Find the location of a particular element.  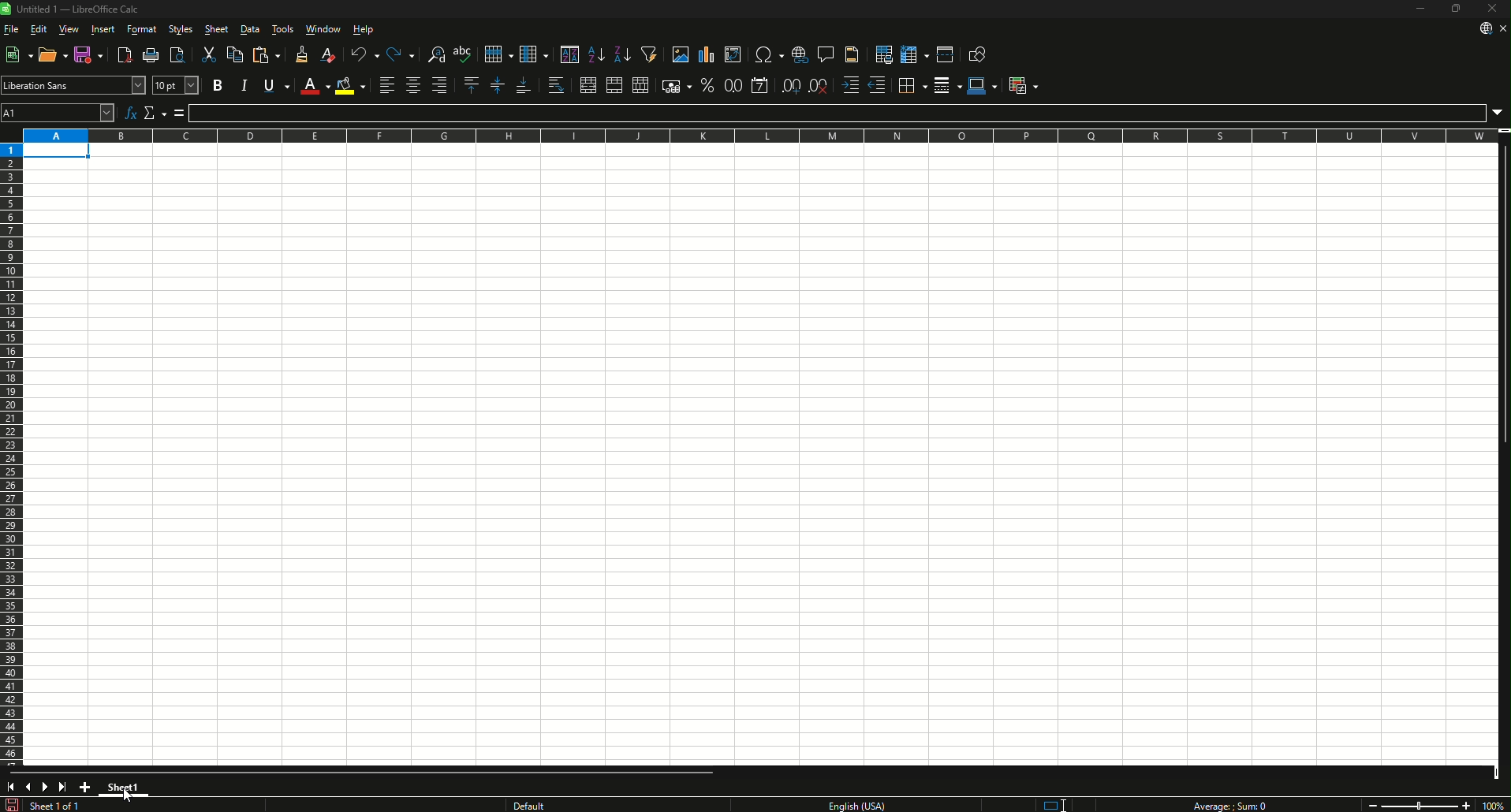

New is located at coordinates (18, 54).